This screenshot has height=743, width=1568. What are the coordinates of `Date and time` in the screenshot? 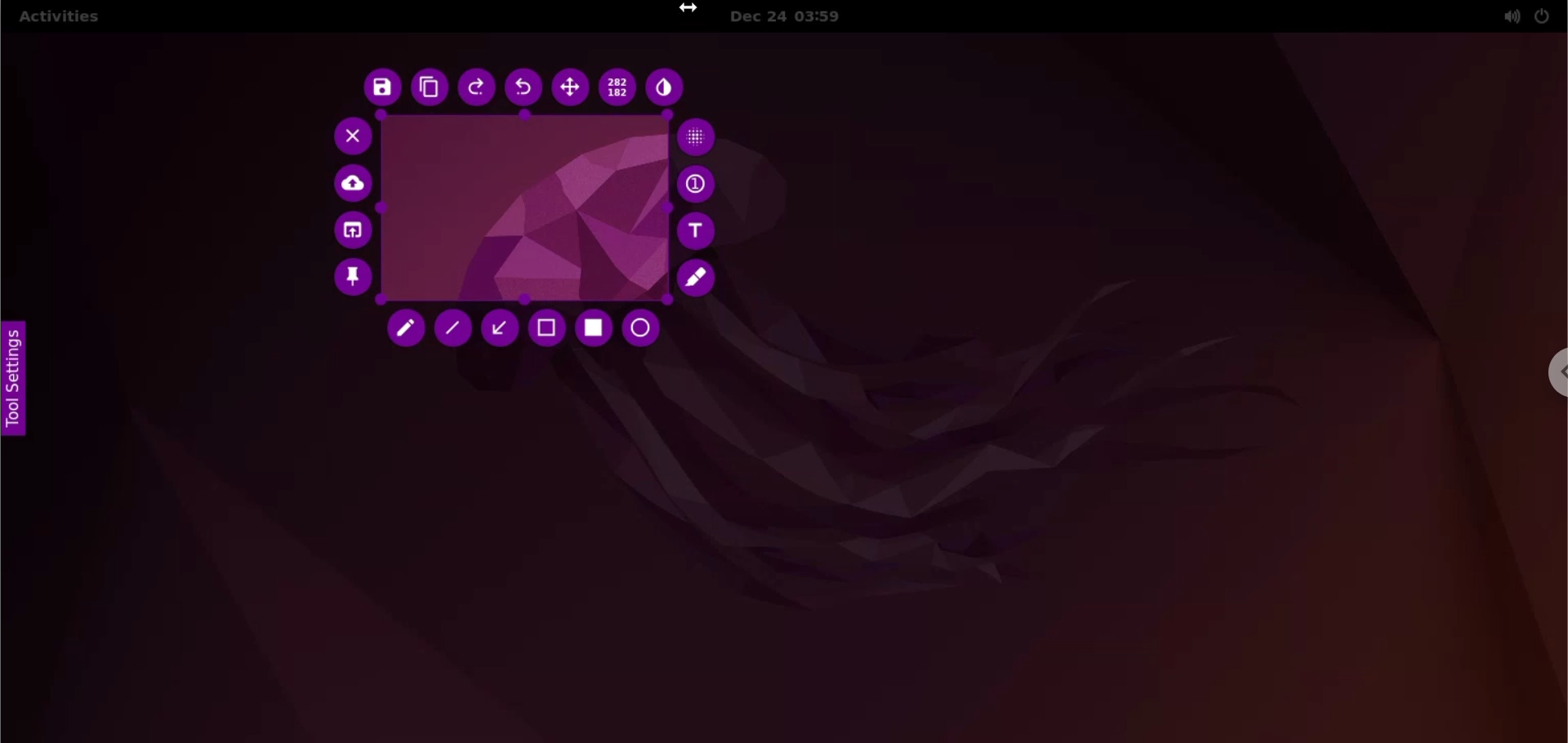 It's located at (797, 17).